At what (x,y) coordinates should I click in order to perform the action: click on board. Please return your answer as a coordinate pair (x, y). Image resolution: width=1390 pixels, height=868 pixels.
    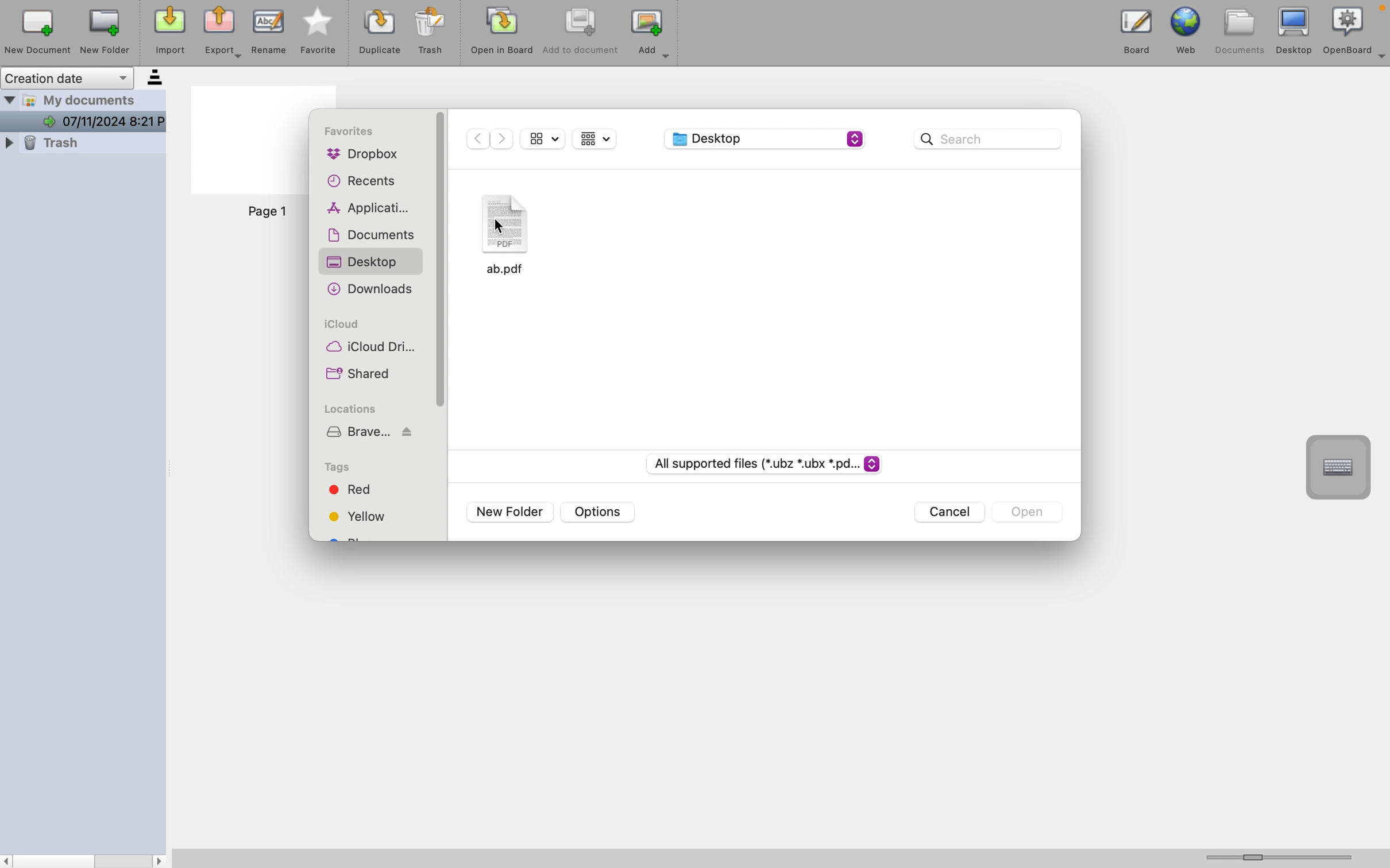
    Looking at the image, I should click on (1137, 29).